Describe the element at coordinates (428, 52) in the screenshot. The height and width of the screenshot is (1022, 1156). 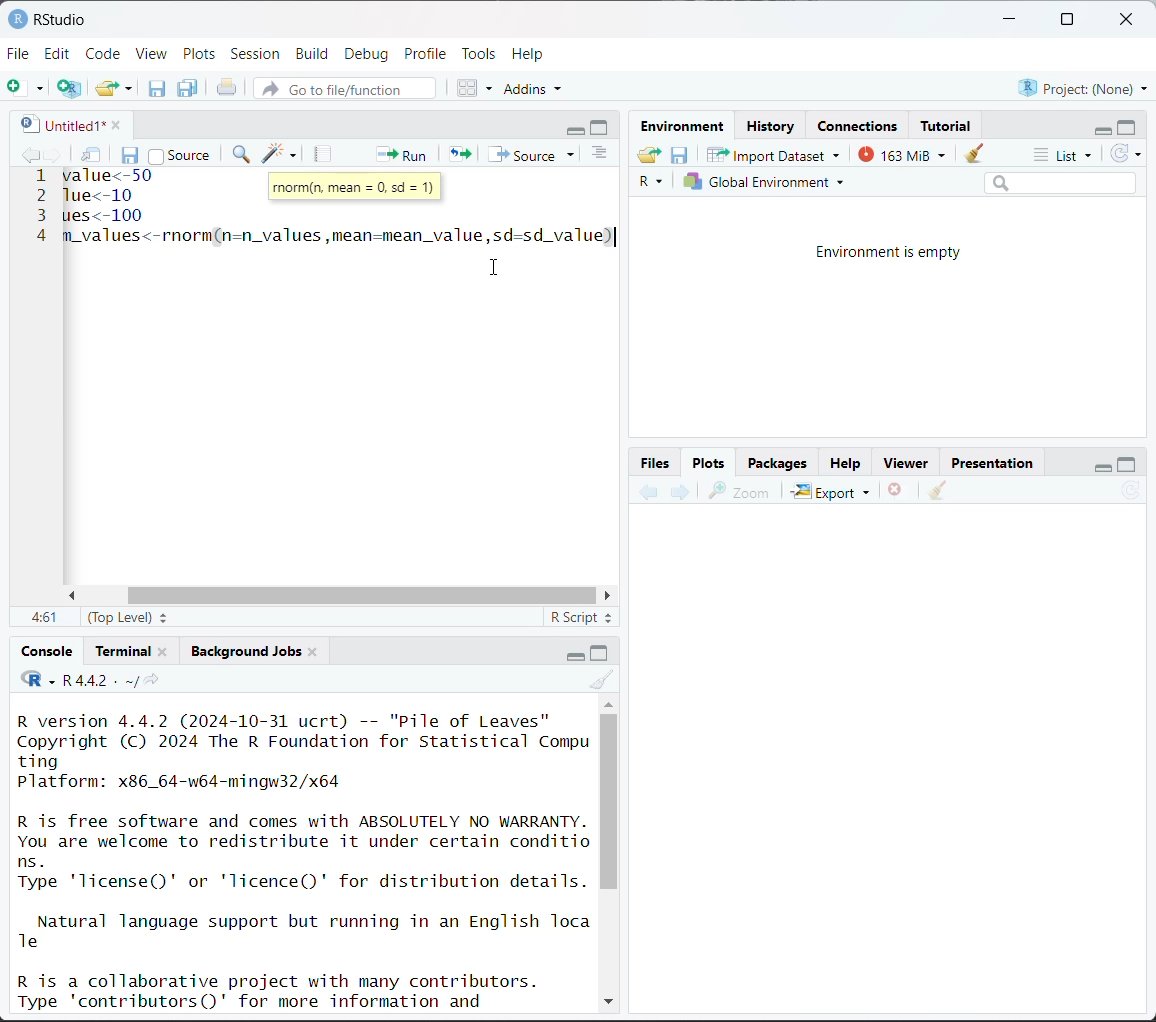
I see `Profile` at that location.